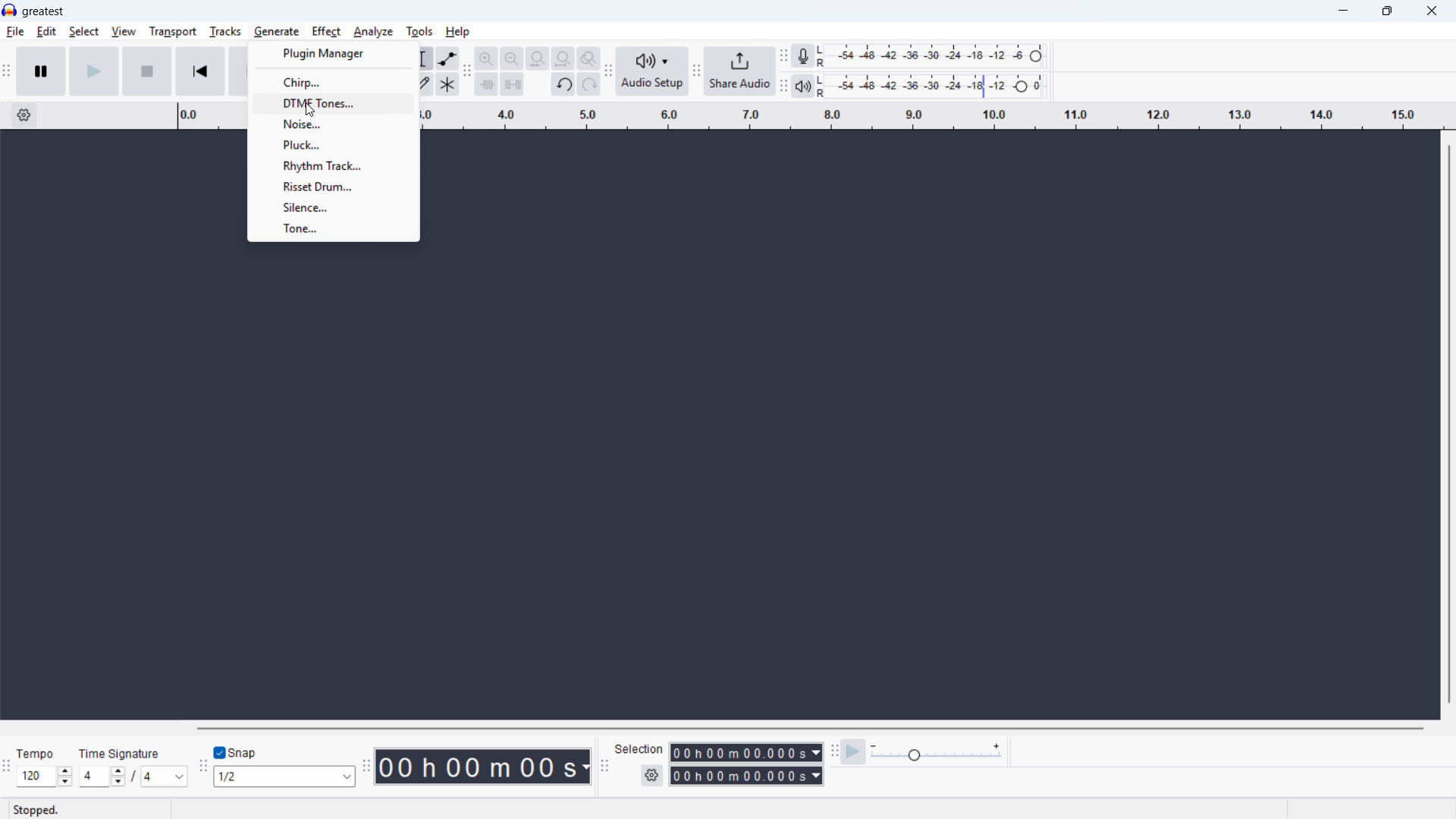  Describe the element at coordinates (201, 71) in the screenshot. I see `skip to start` at that location.